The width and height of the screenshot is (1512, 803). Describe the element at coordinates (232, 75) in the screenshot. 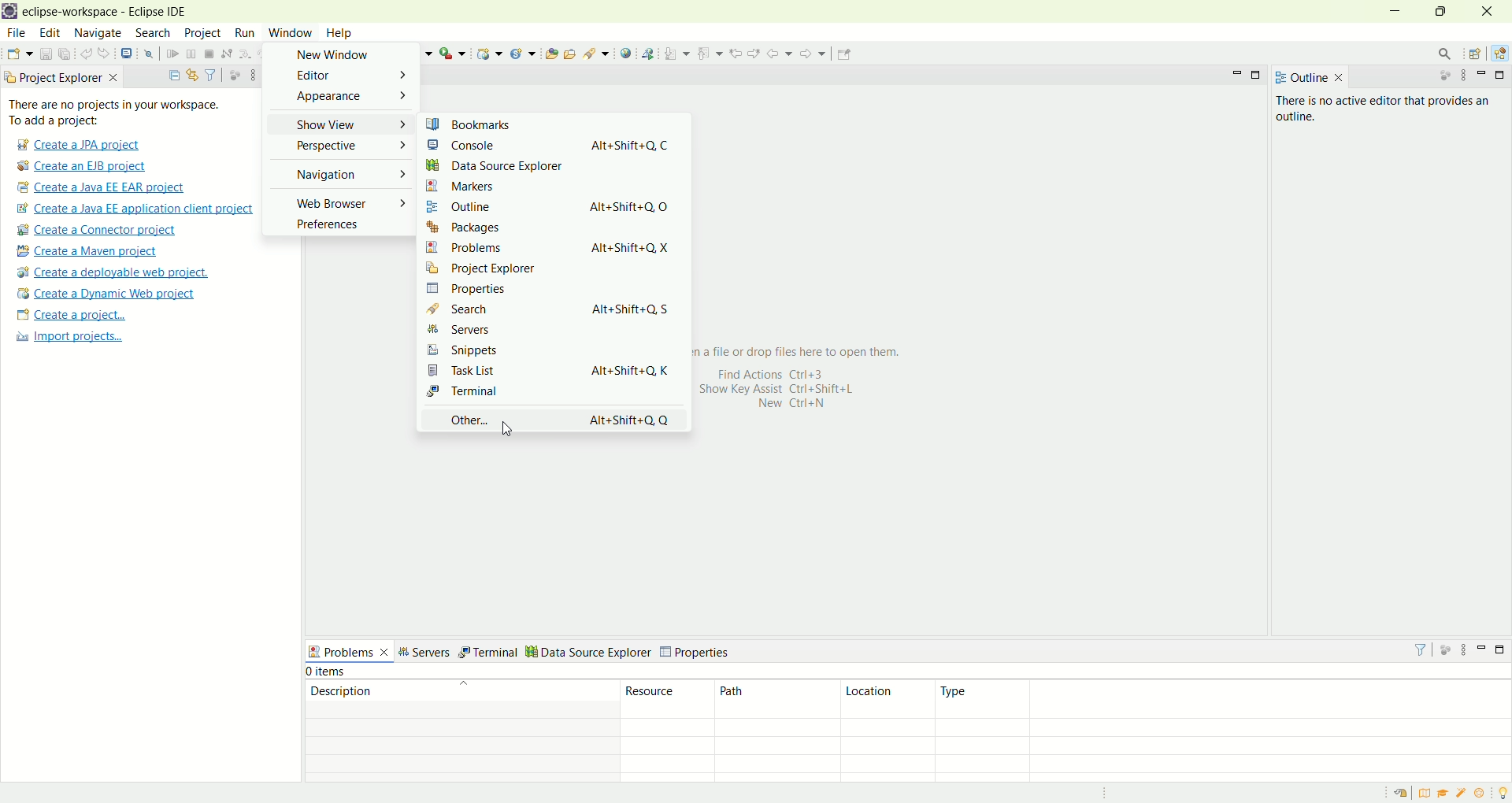

I see `focus on active tasks` at that location.